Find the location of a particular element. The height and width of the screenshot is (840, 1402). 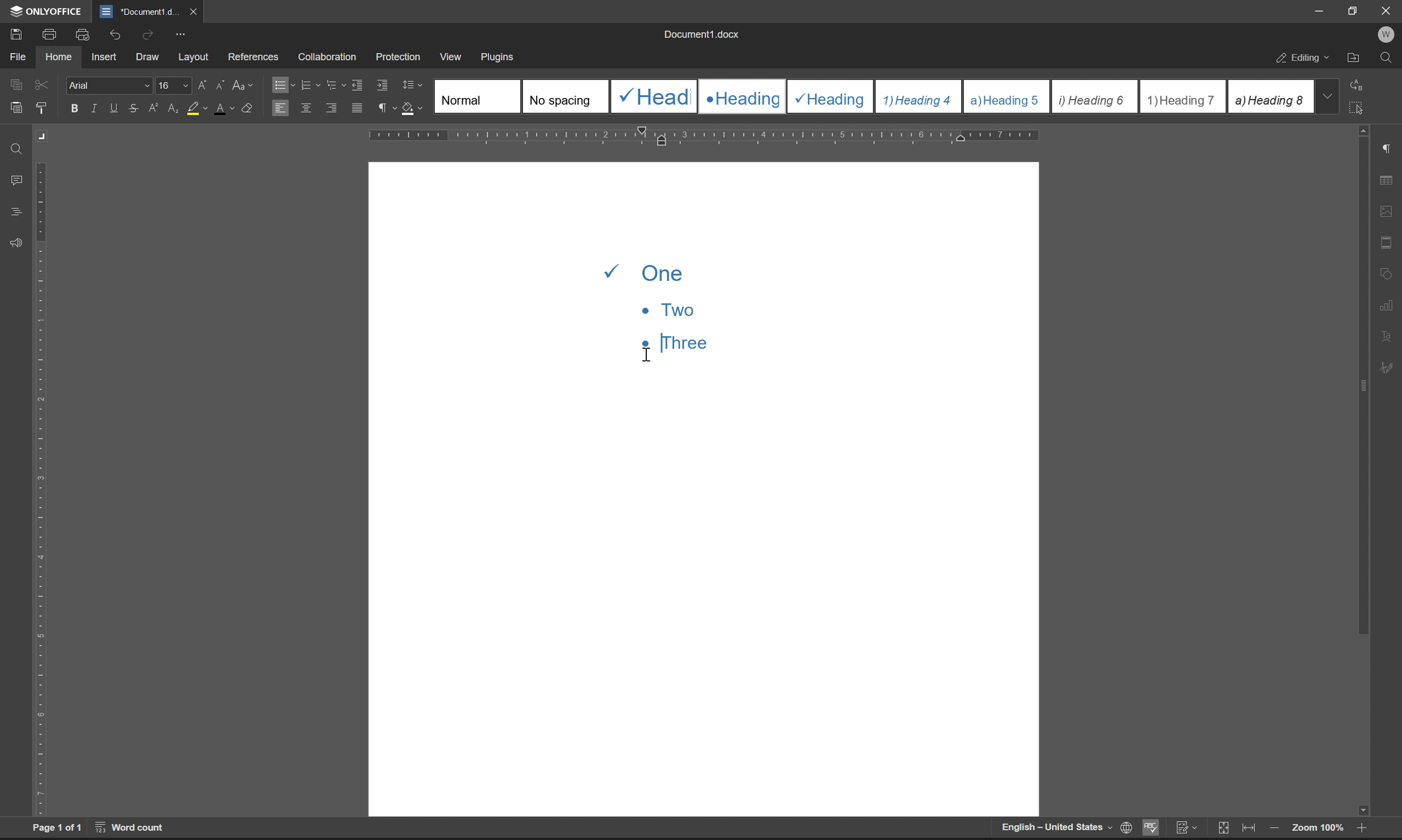

numbering is located at coordinates (310, 85).